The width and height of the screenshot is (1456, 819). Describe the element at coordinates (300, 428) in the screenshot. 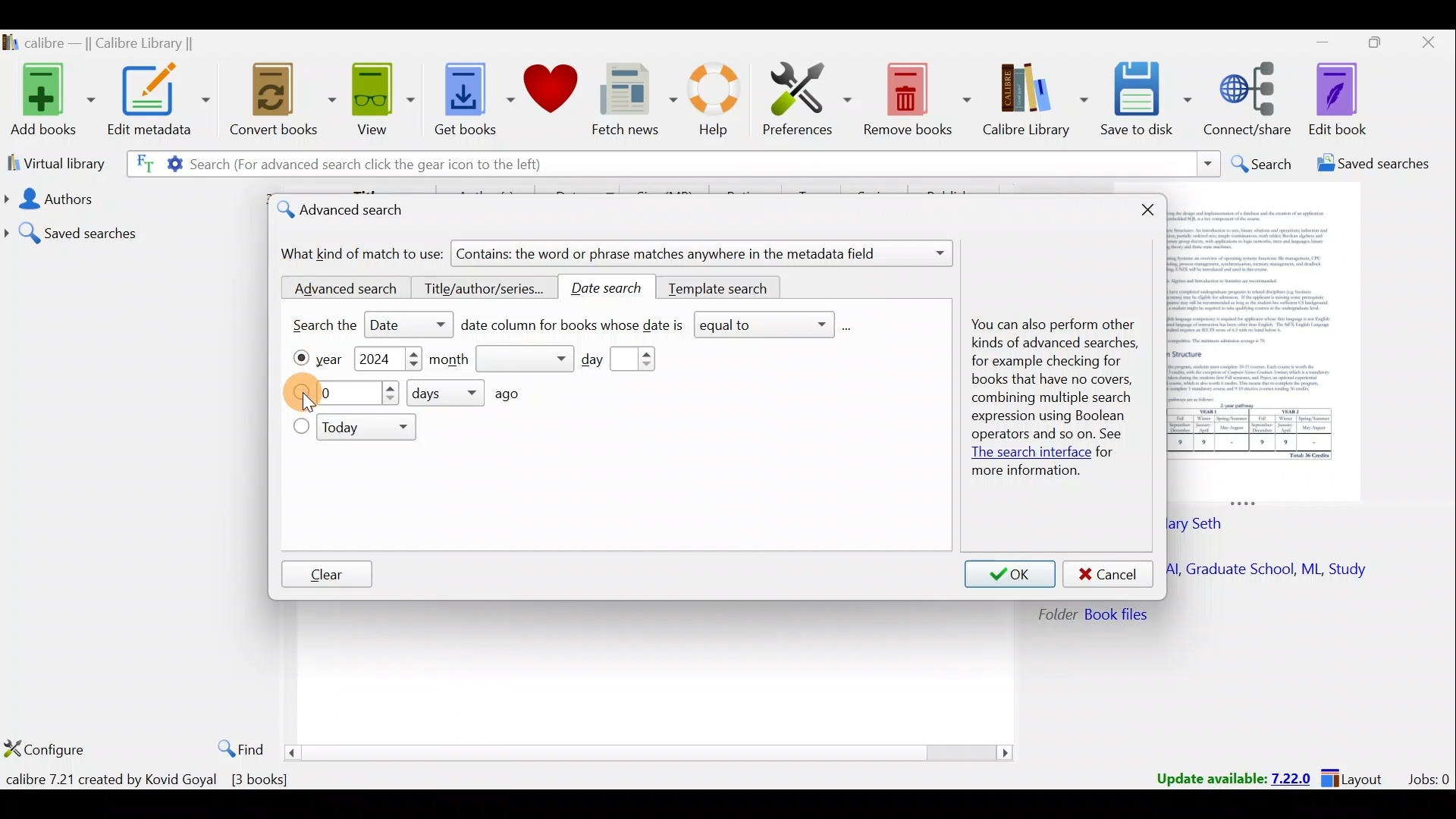

I see `Today checkbox` at that location.